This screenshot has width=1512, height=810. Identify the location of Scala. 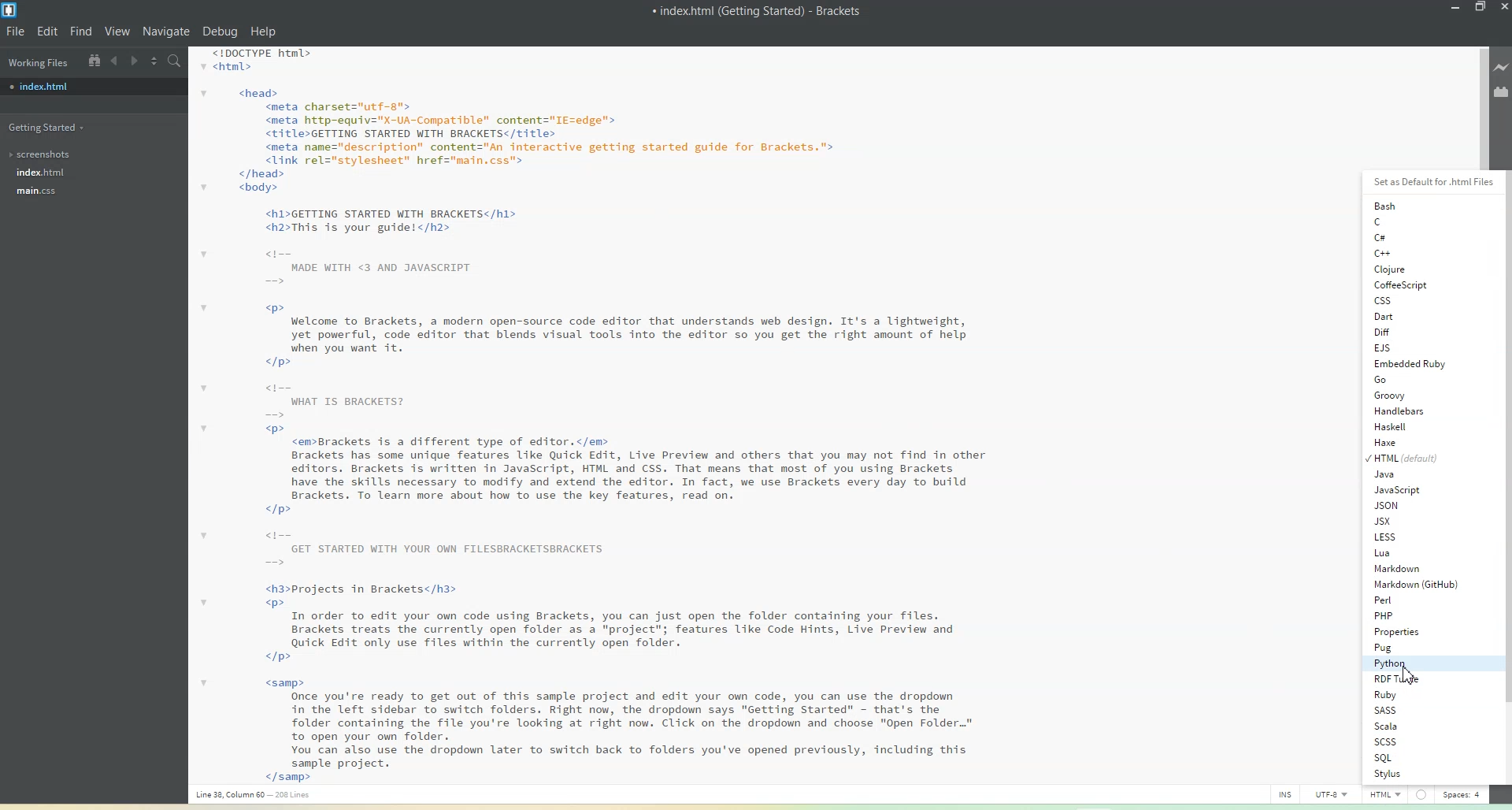
(1418, 726).